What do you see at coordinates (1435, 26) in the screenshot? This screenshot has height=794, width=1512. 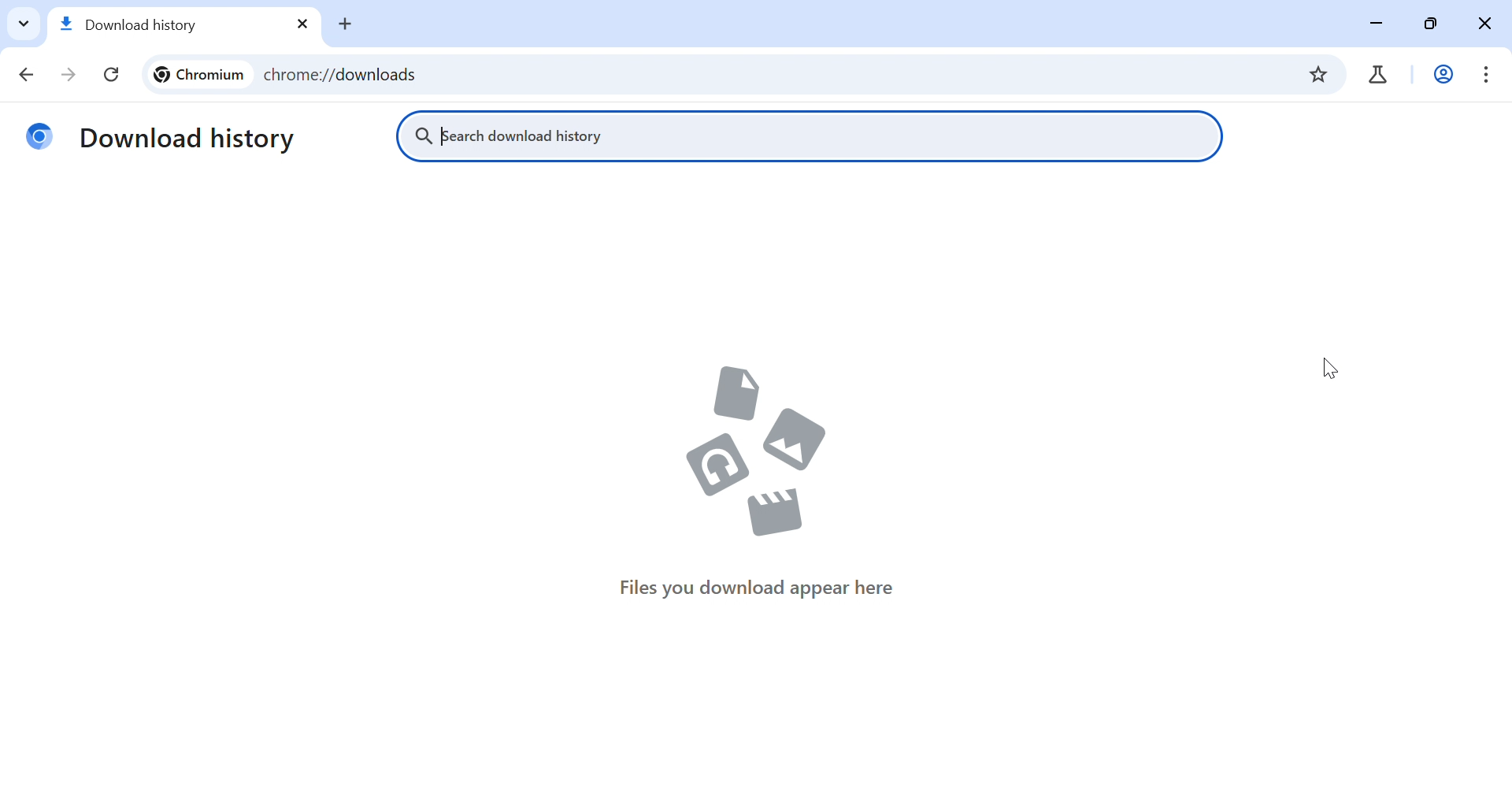 I see `Restore down` at bounding box center [1435, 26].